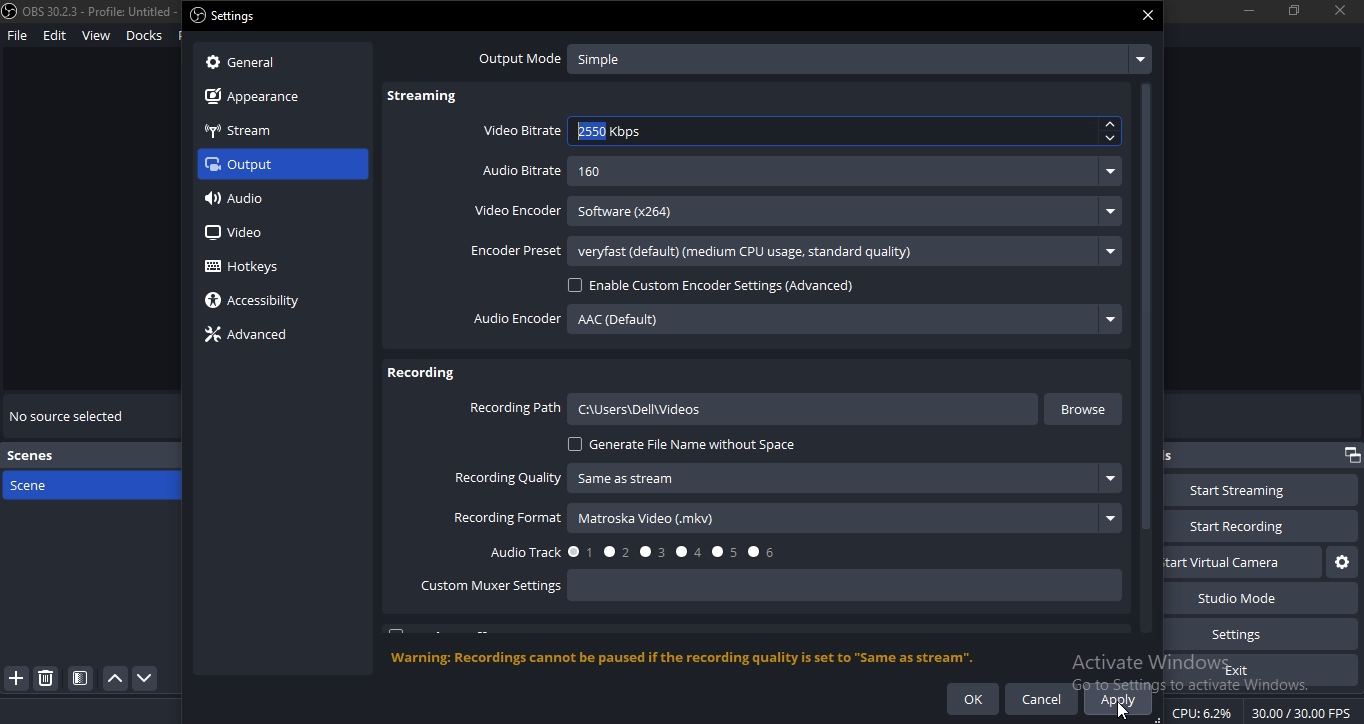  Describe the element at coordinates (508, 518) in the screenshot. I see `recording format` at that location.